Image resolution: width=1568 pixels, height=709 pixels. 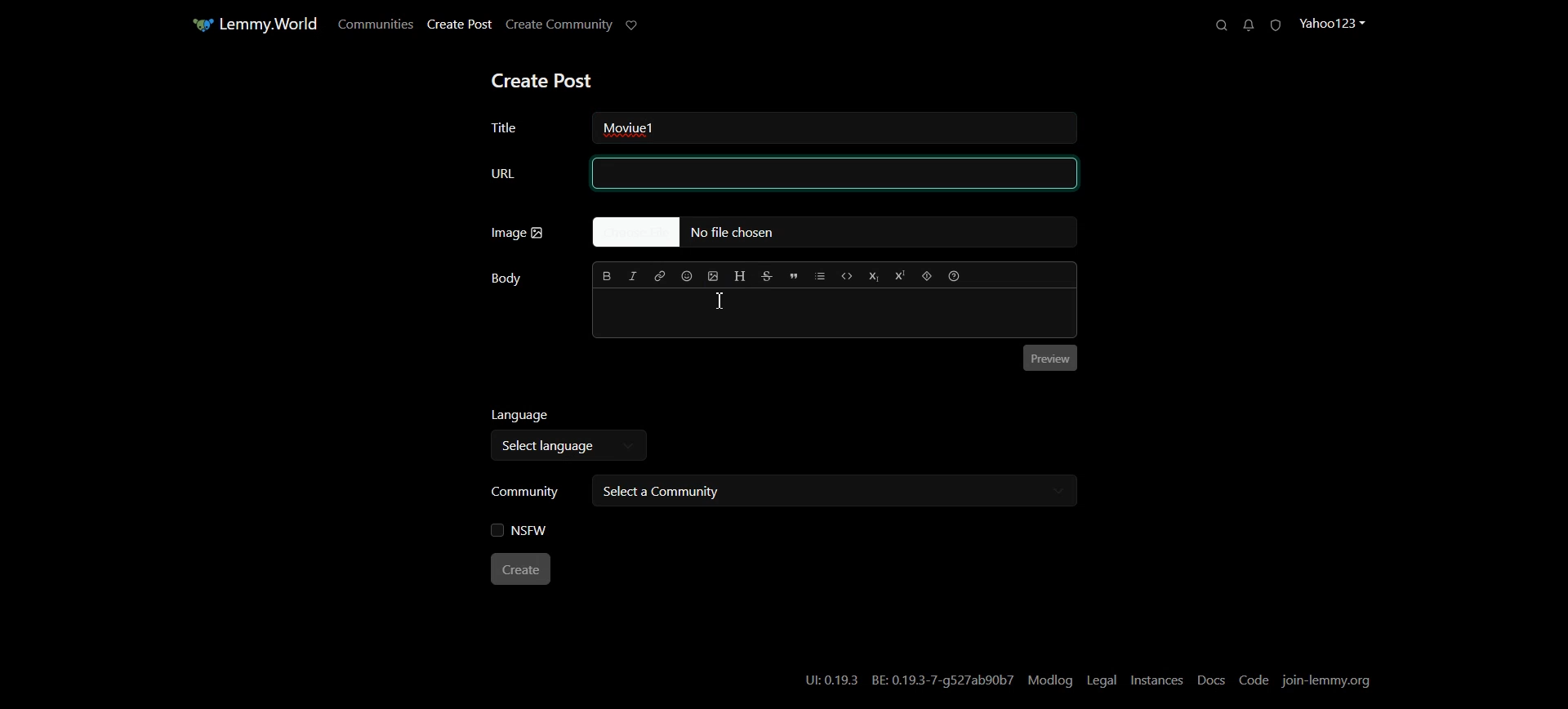 What do you see at coordinates (1337, 23) in the screenshot?
I see `Profile` at bounding box center [1337, 23].